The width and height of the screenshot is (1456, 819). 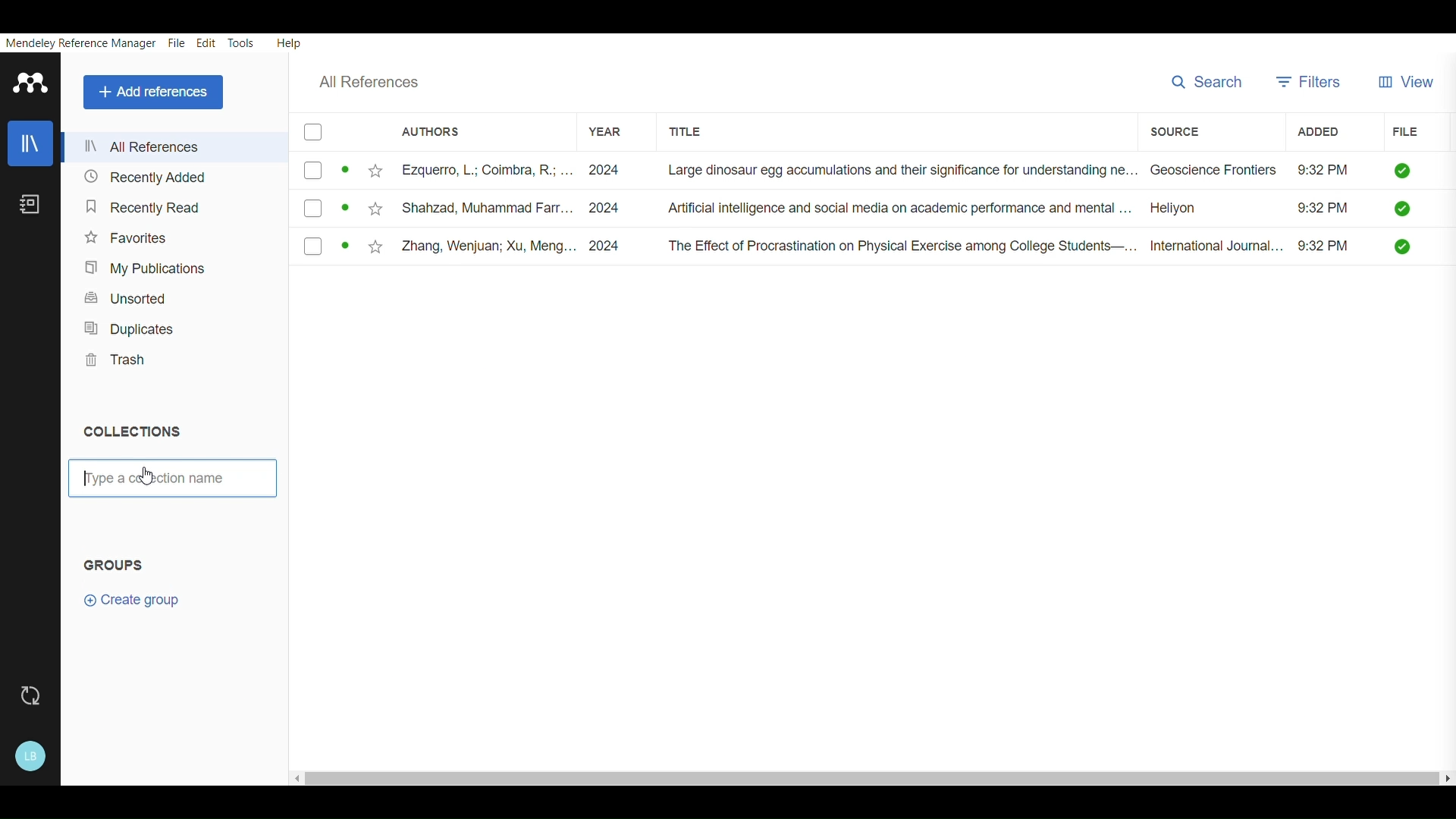 I want to click on SOURCE, so click(x=1173, y=130).